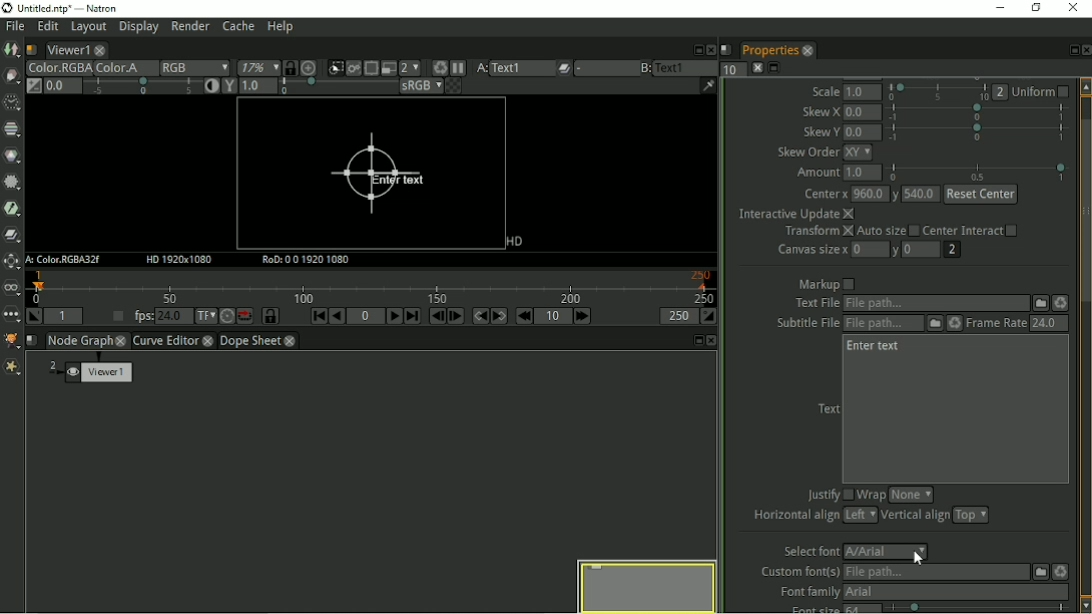  I want to click on Amount, so click(815, 175).